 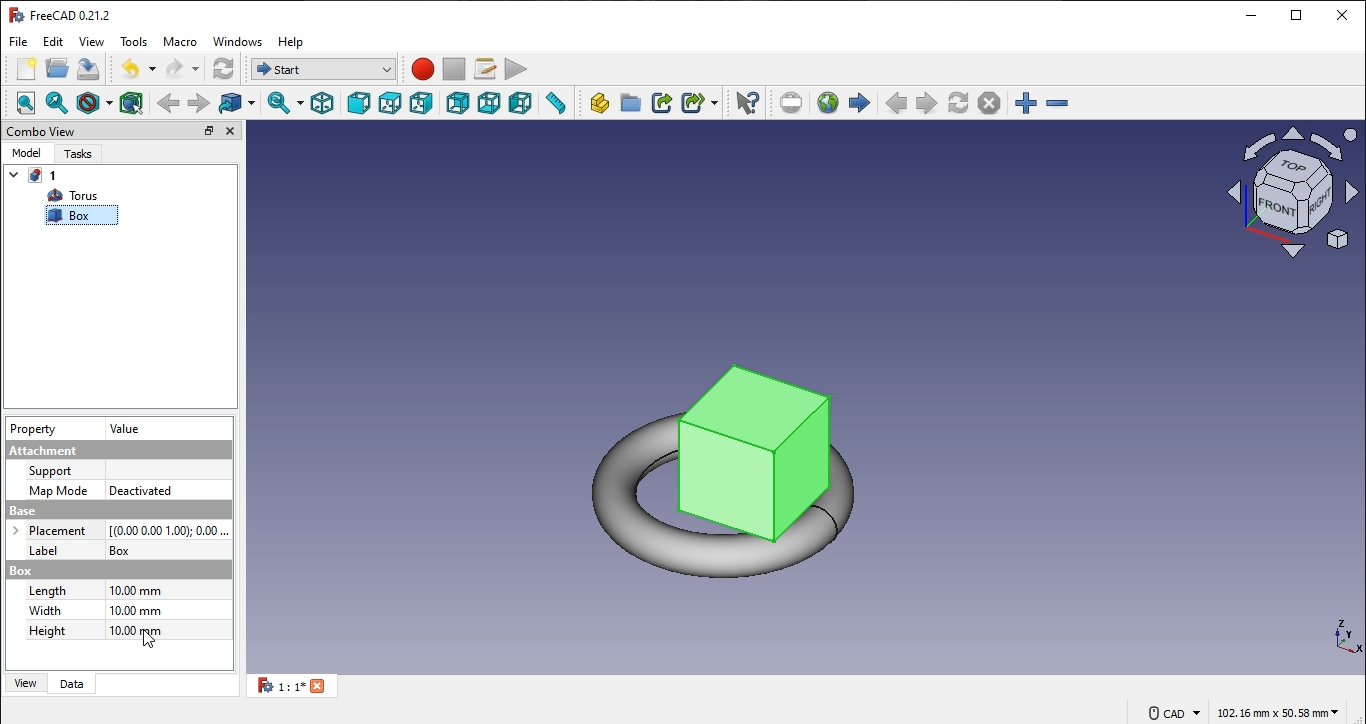 I want to click on isometric view, so click(x=321, y=104).